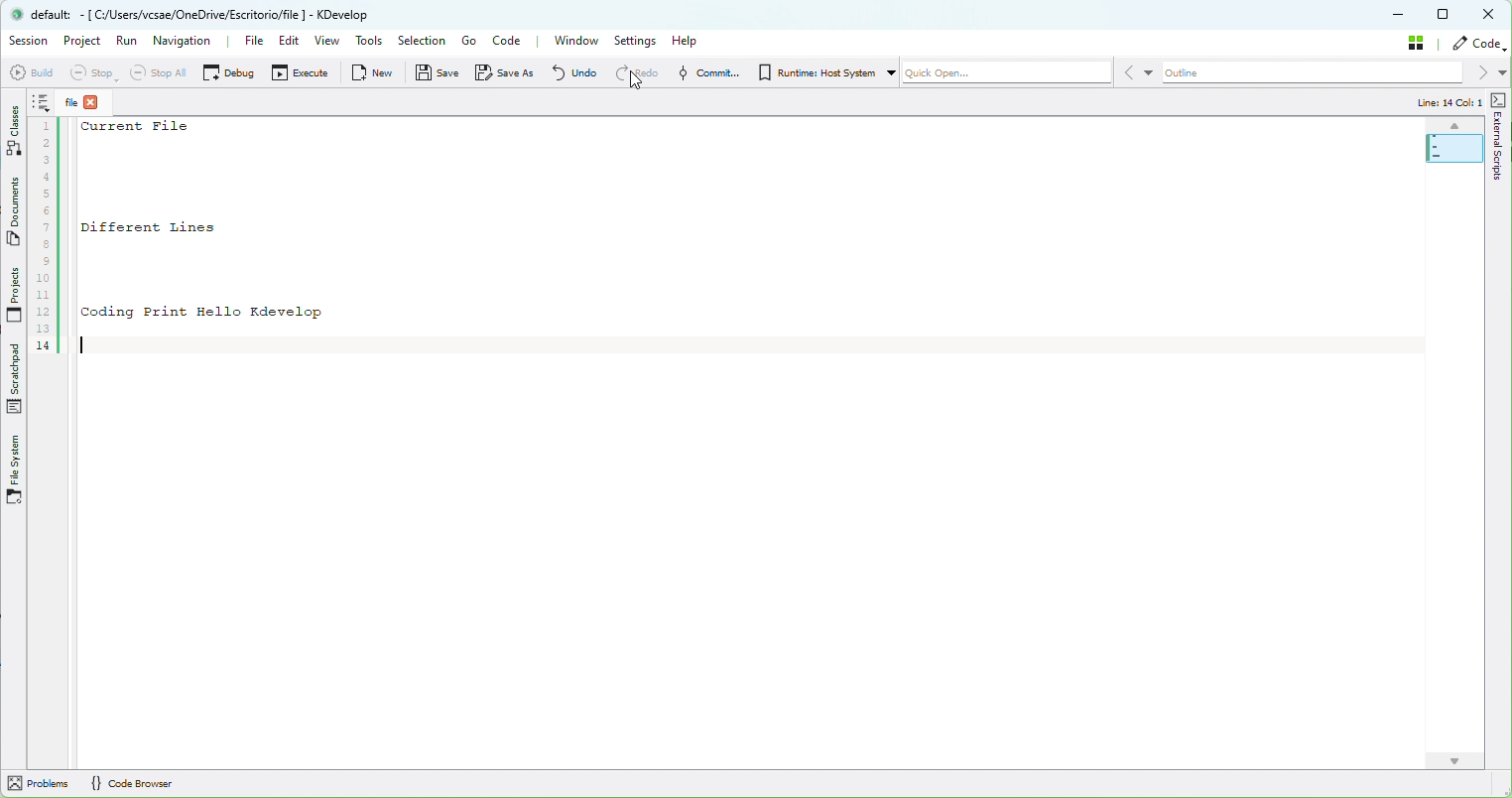 This screenshot has width=1512, height=798. Describe the element at coordinates (507, 72) in the screenshot. I see `Save as` at that location.